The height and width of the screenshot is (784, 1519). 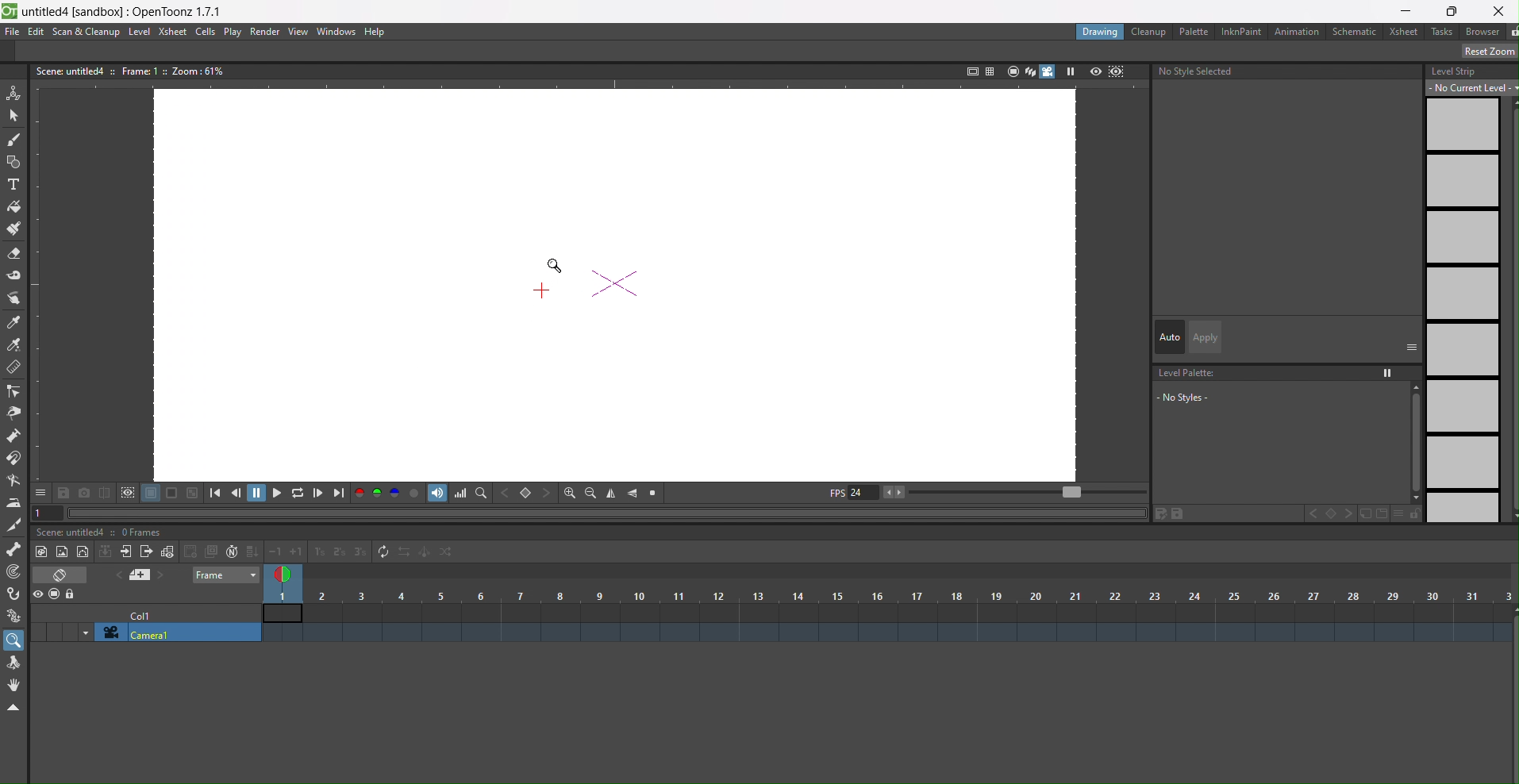 I want to click on level strip, so click(x=1466, y=294).